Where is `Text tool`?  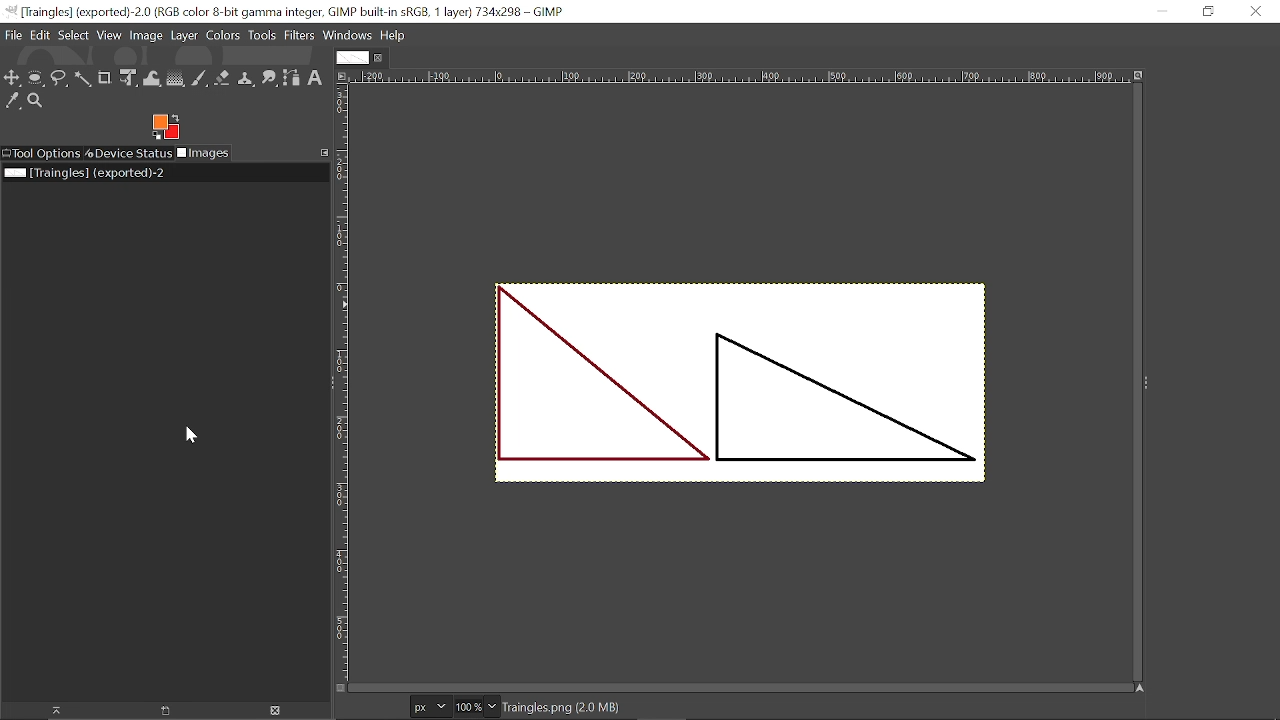 Text tool is located at coordinates (316, 79).